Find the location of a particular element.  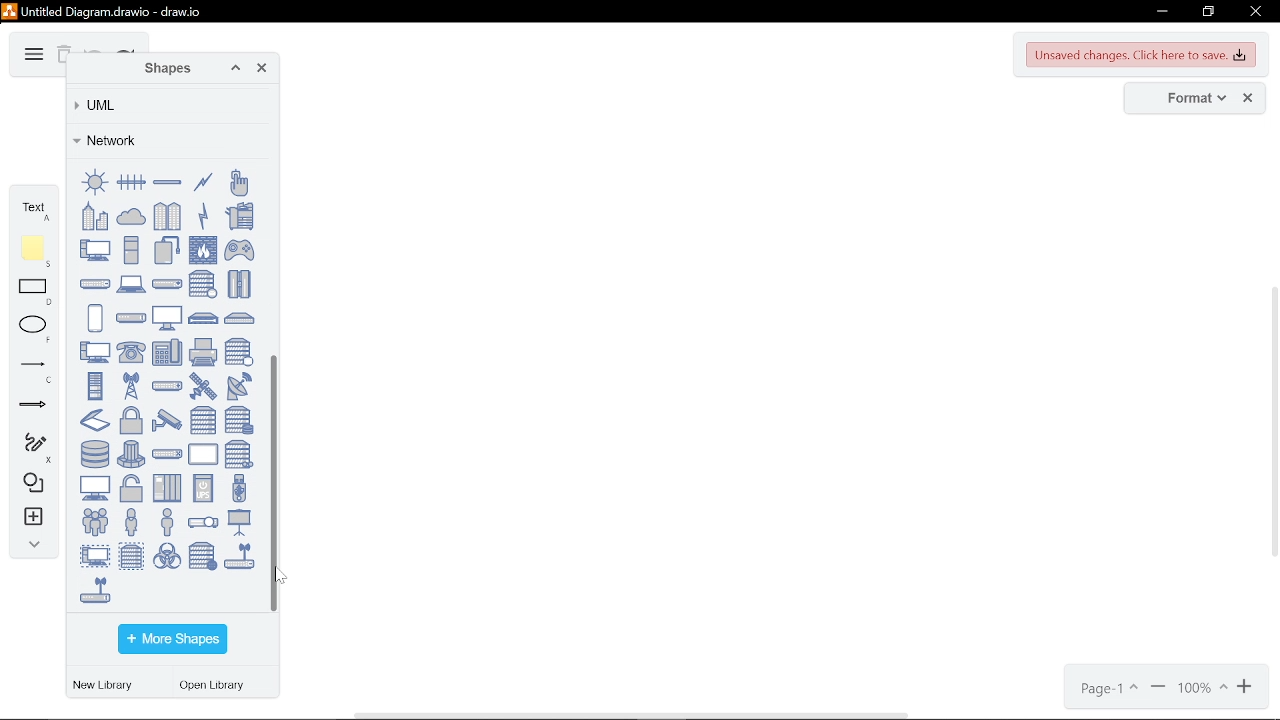

video projector screen is located at coordinates (239, 522).